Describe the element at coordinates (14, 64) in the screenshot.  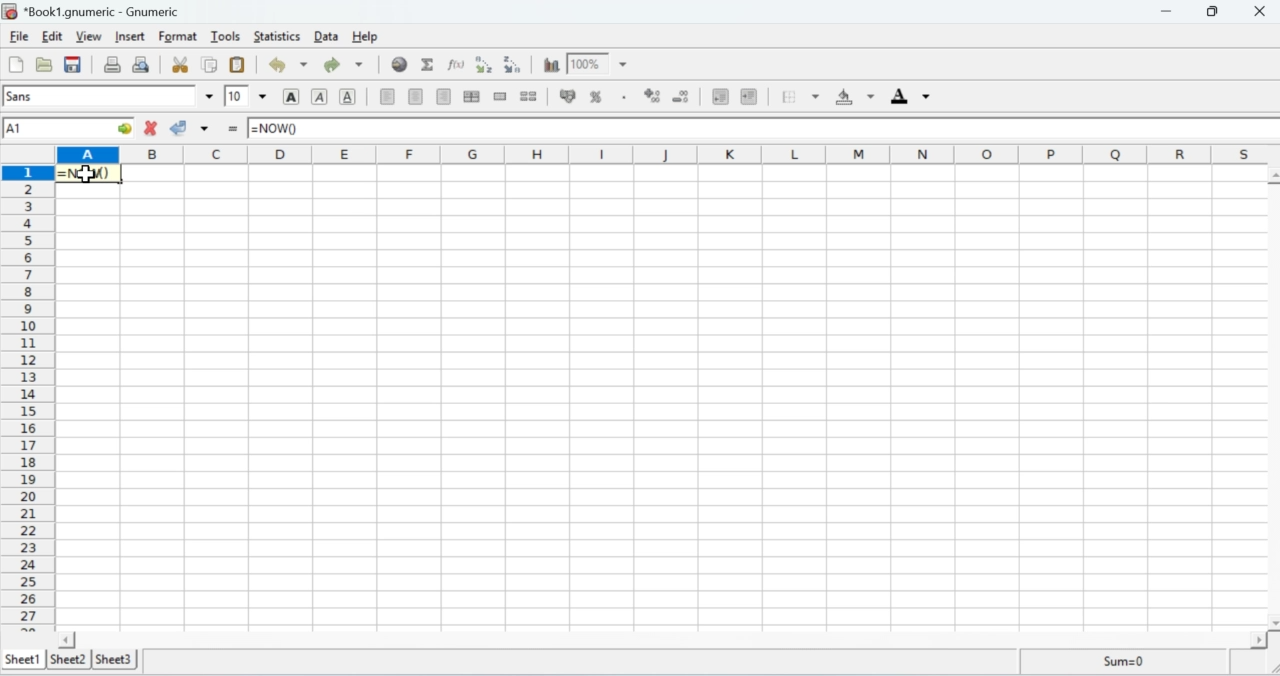
I see `Create a new workbook` at that location.